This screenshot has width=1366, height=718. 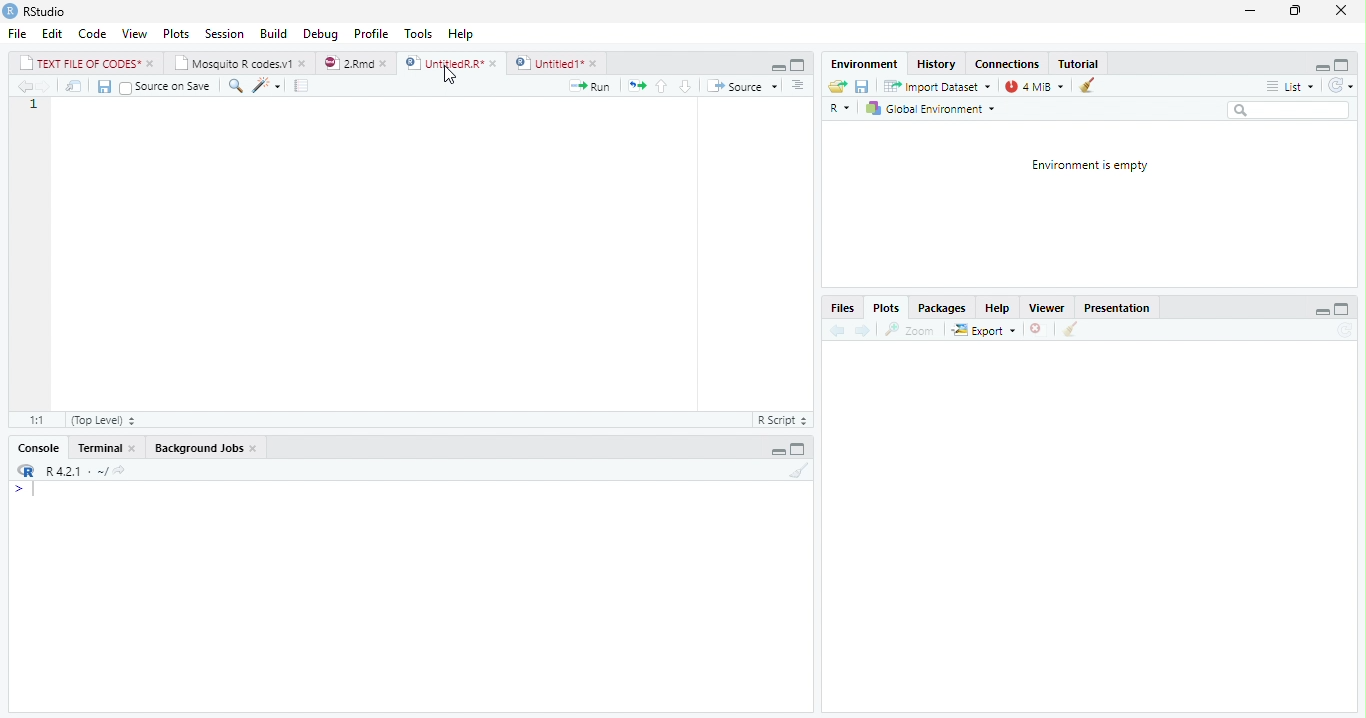 I want to click on Build, so click(x=275, y=33).